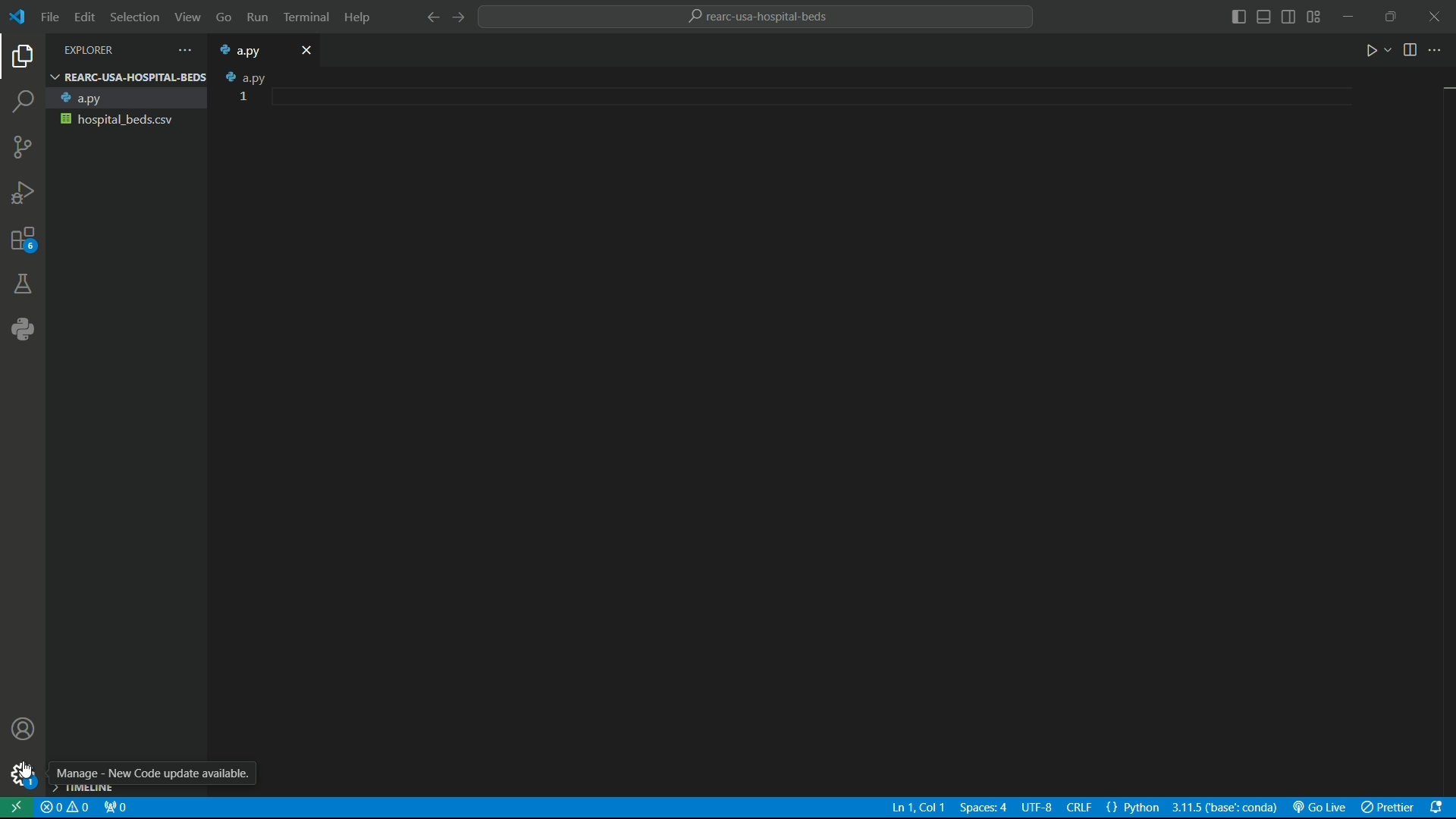 The image size is (1456, 819). I want to click on go menu, so click(222, 19).